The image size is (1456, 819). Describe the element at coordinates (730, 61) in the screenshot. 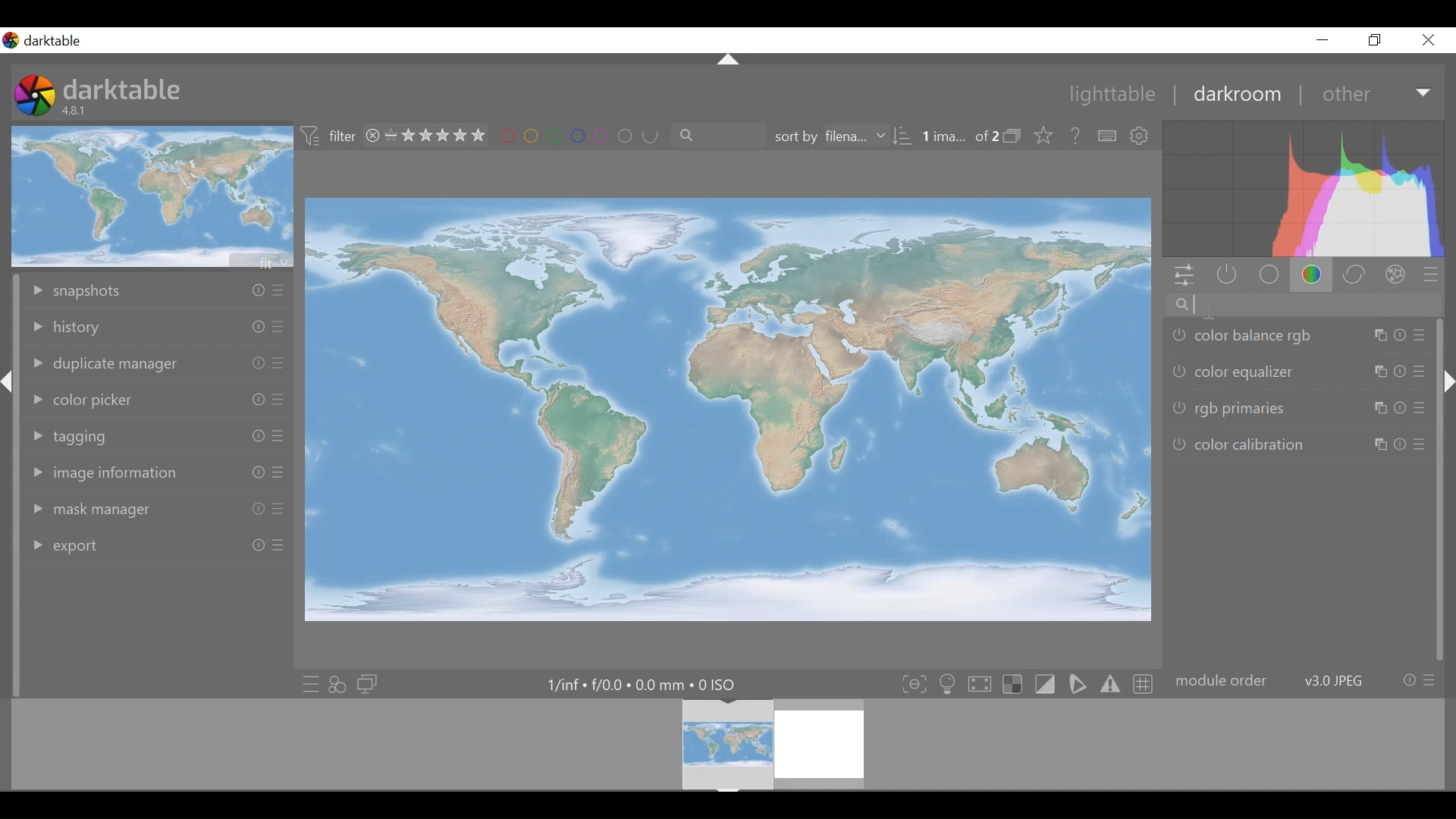

I see `hide` at that location.